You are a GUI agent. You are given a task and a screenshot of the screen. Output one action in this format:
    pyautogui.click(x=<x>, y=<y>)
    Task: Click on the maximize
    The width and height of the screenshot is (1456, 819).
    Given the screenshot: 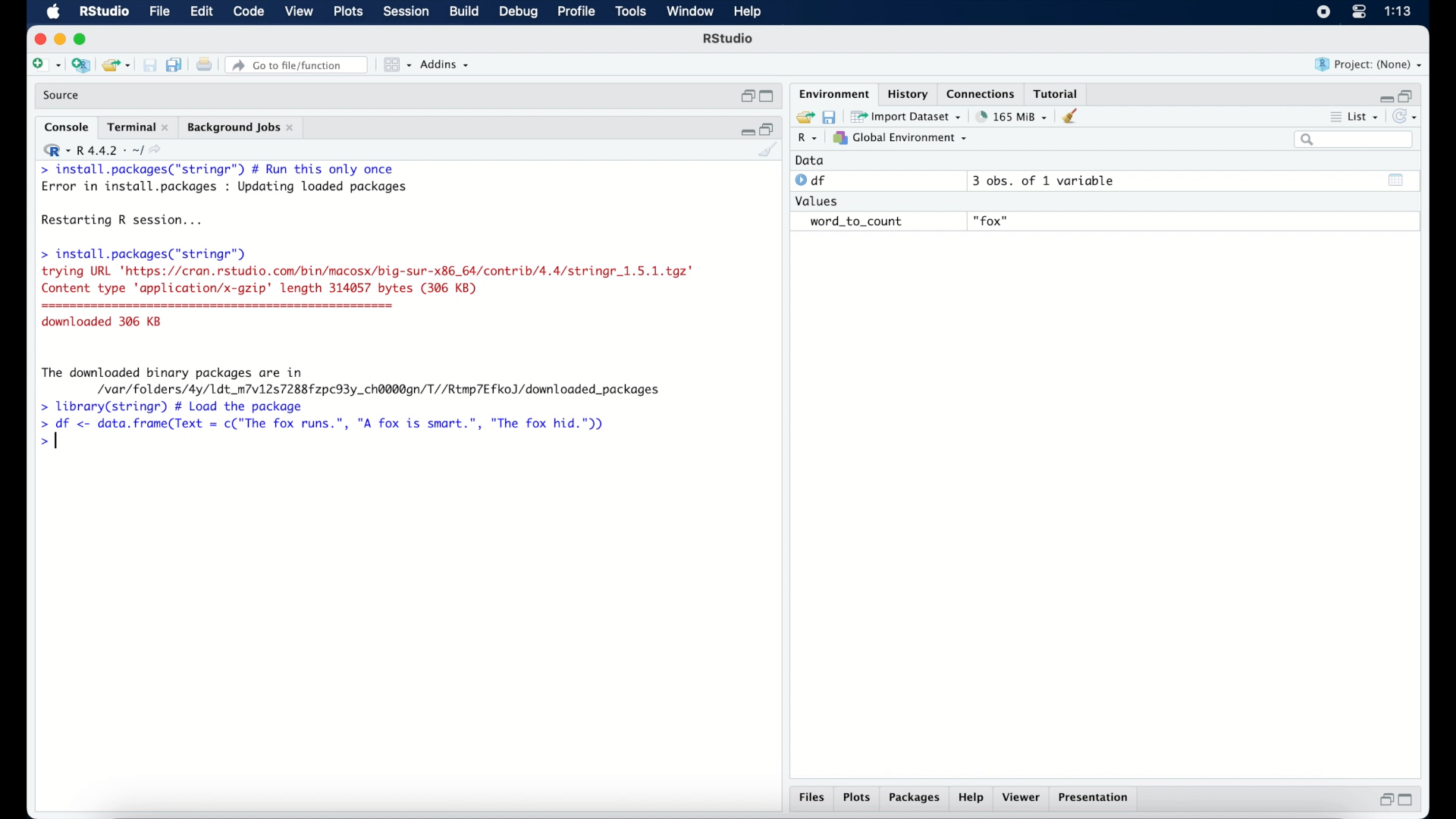 What is the action you would take?
    pyautogui.click(x=769, y=97)
    